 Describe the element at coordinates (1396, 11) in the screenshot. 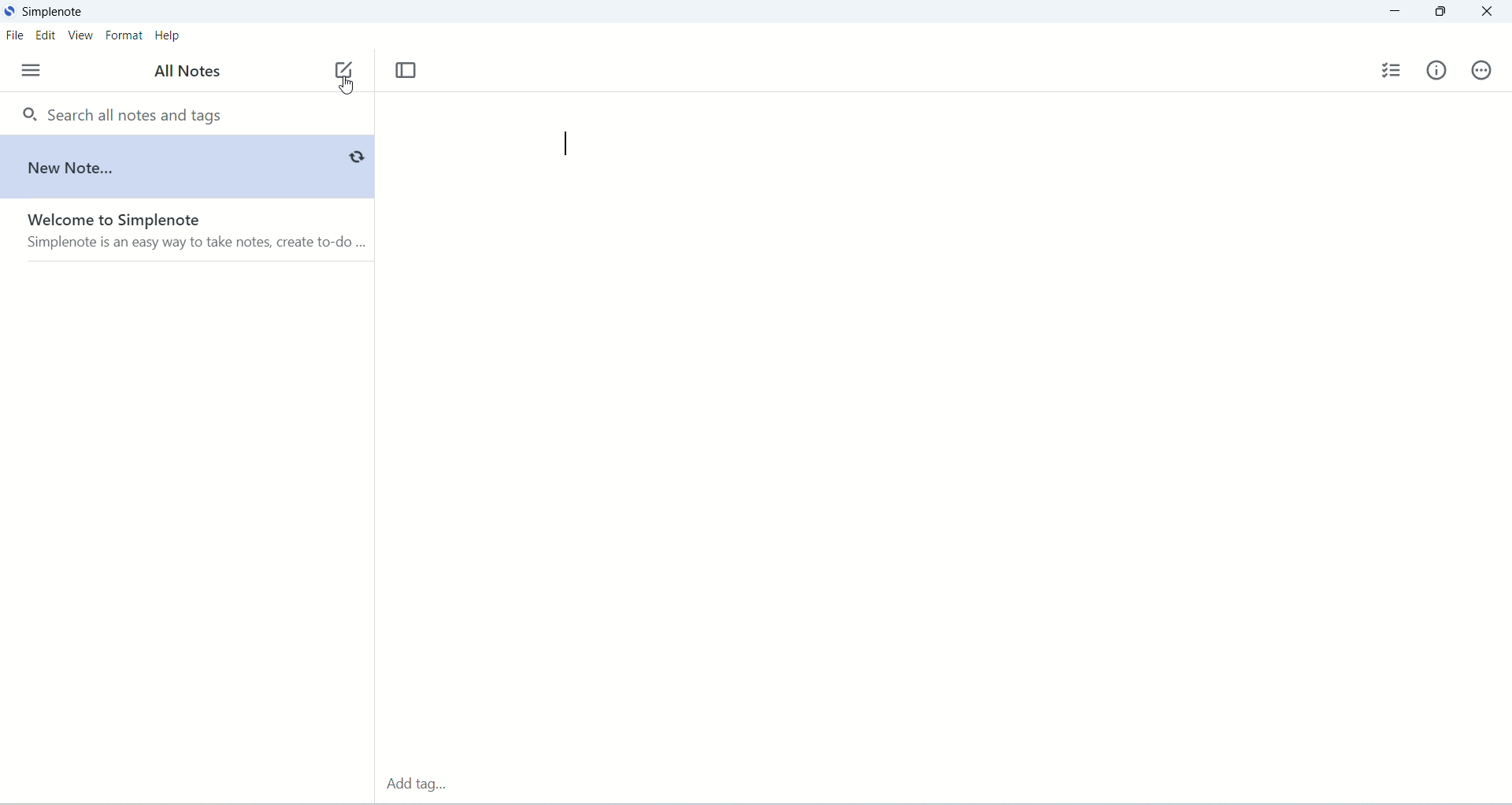

I see `minimize` at that location.